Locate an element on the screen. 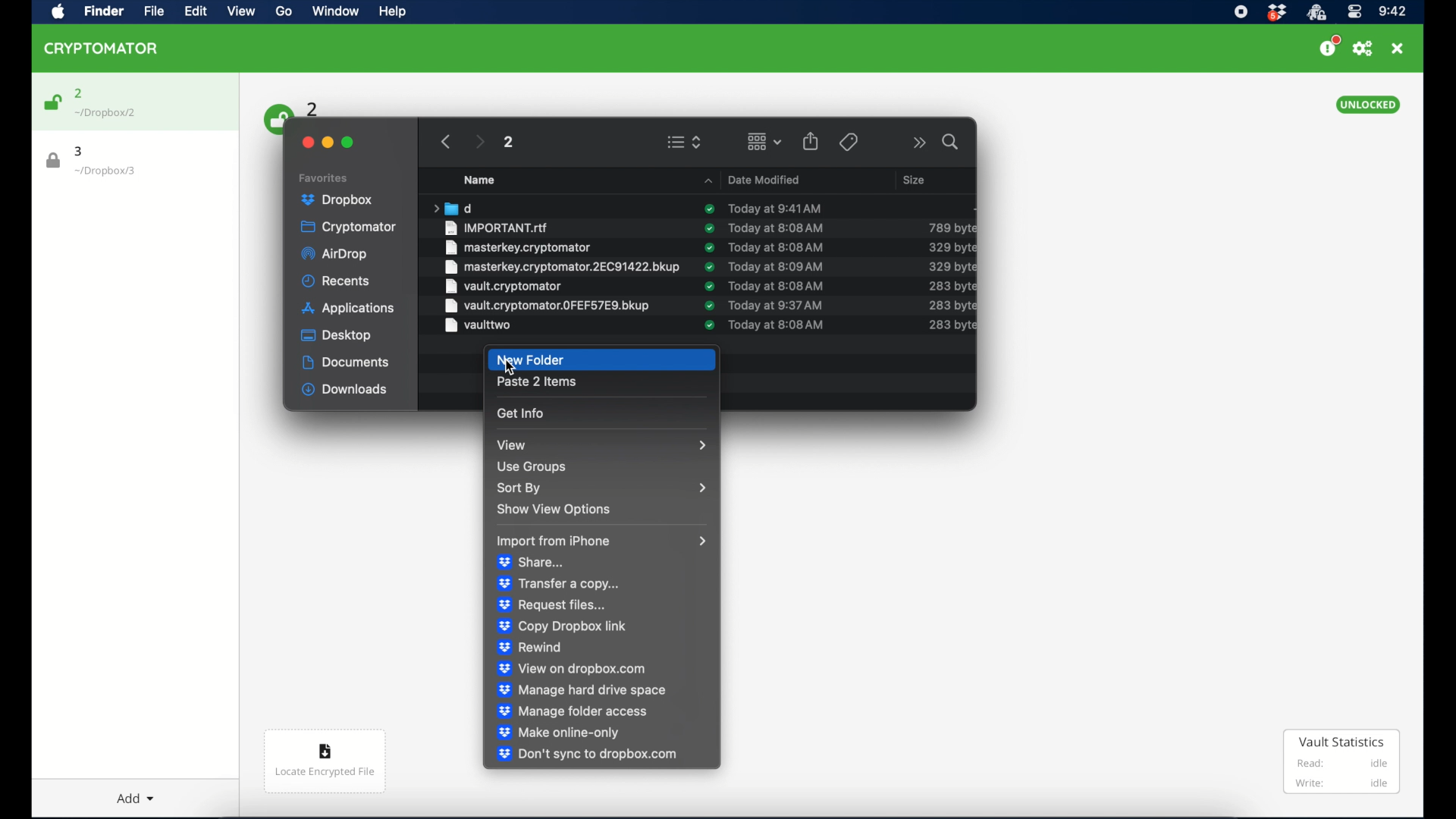 The image size is (1456, 819). more options is located at coordinates (920, 143).